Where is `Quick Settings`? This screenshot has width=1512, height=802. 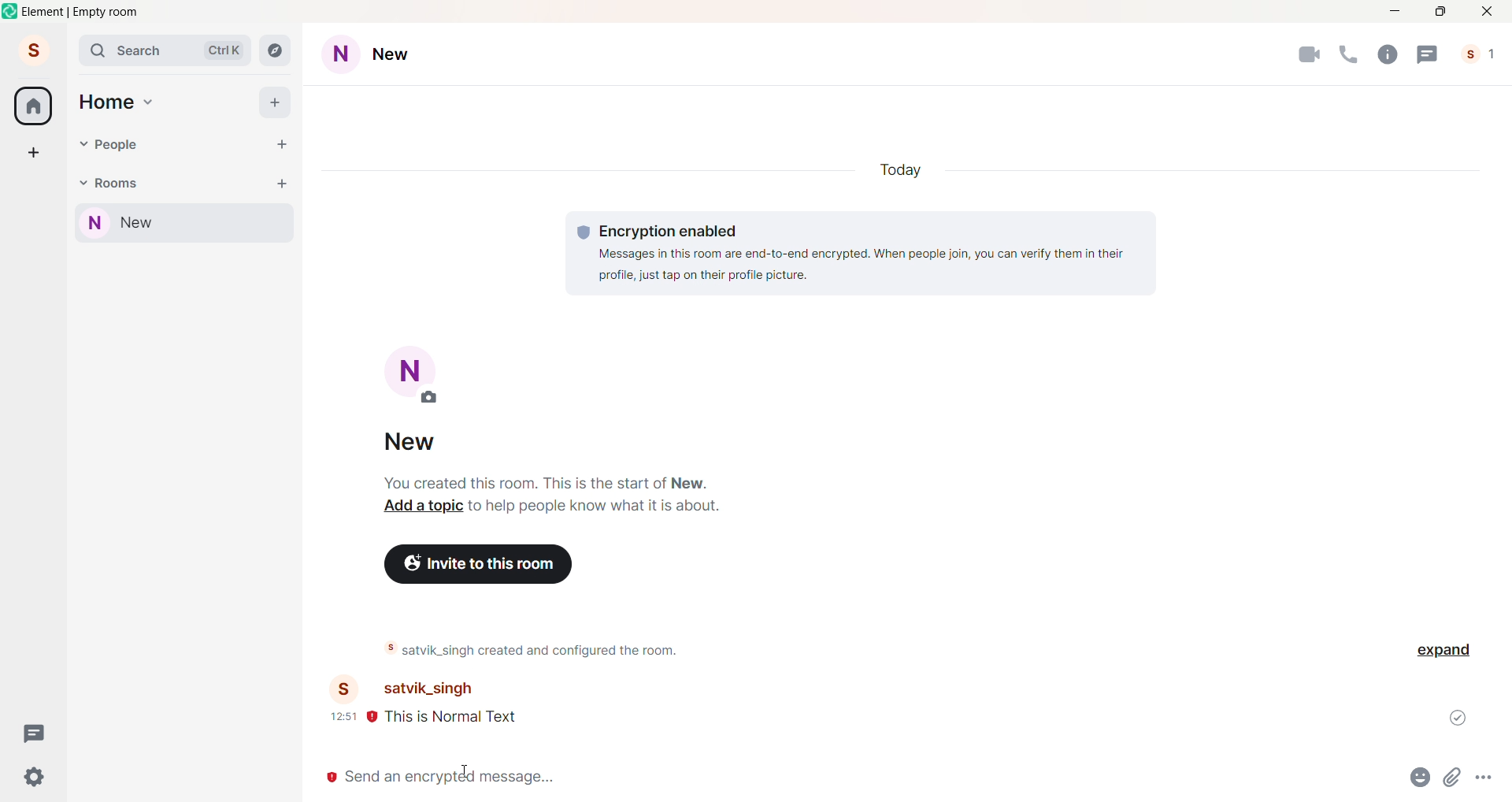
Quick Settings is located at coordinates (35, 776).